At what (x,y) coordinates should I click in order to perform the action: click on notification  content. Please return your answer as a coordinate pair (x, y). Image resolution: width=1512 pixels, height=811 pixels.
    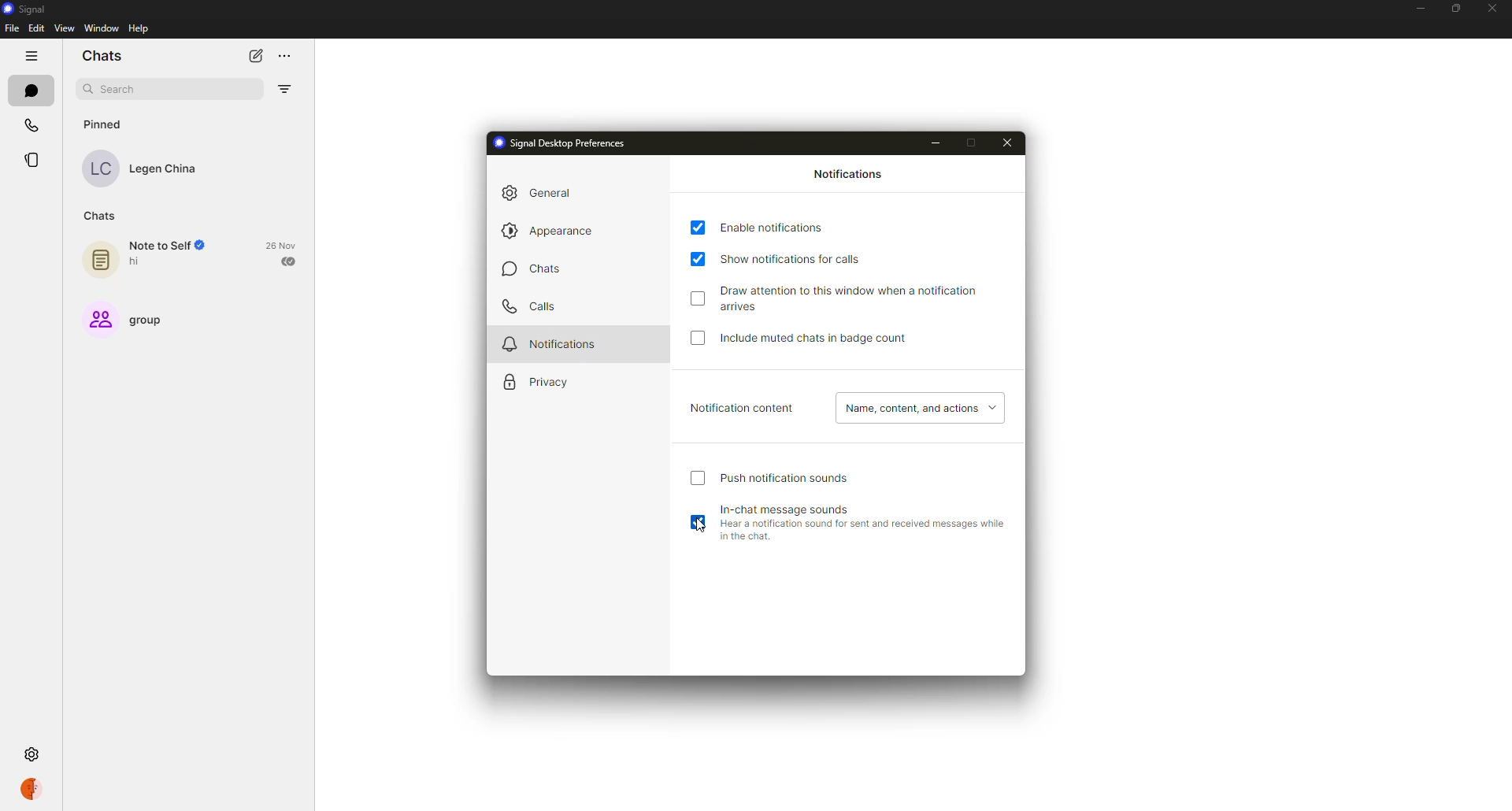
    Looking at the image, I should click on (742, 409).